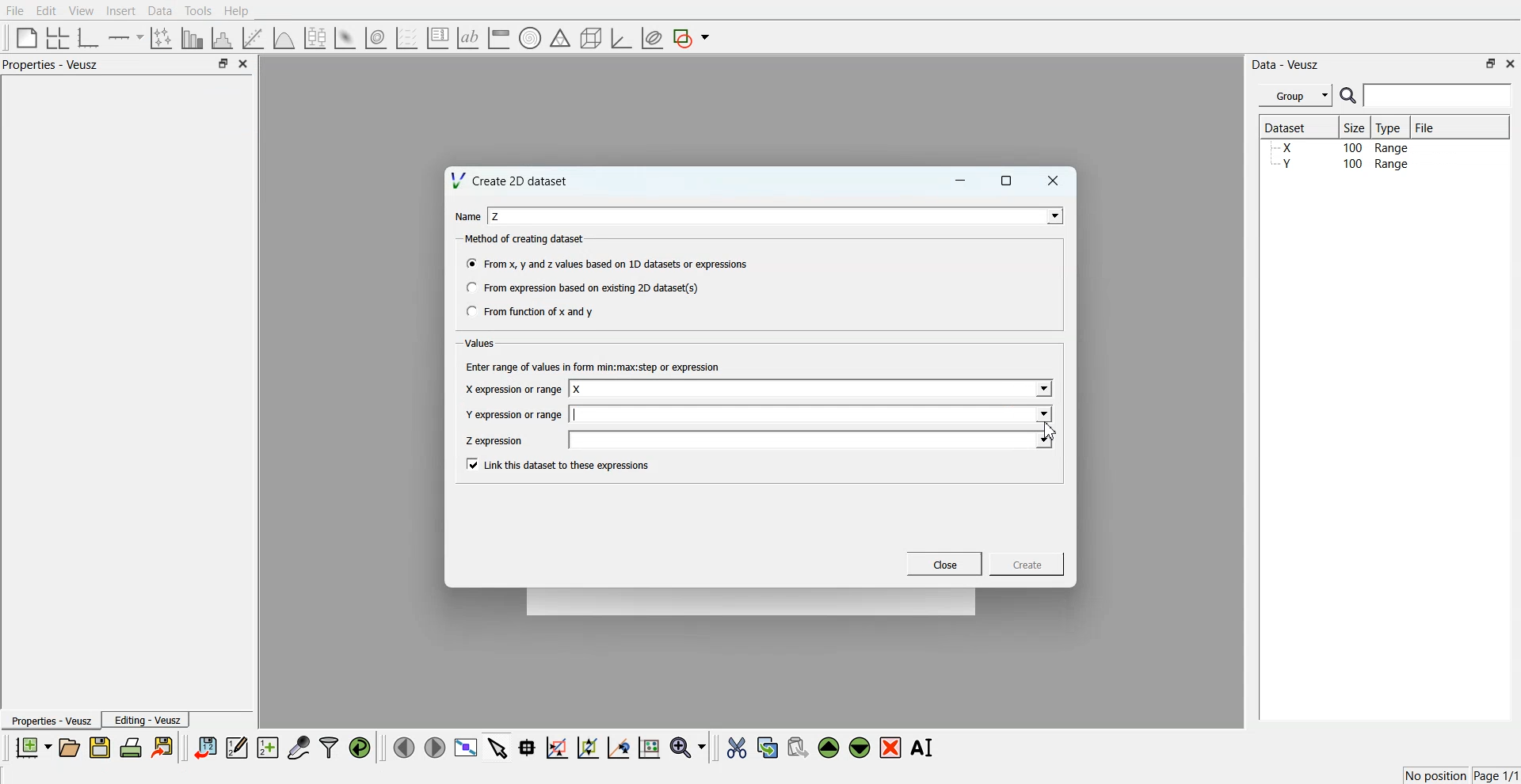 The width and height of the screenshot is (1521, 784). Describe the element at coordinates (608, 262) in the screenshot. I see `|  (& Fromx, y and z values based on 1D datasets or expressions` at that location.